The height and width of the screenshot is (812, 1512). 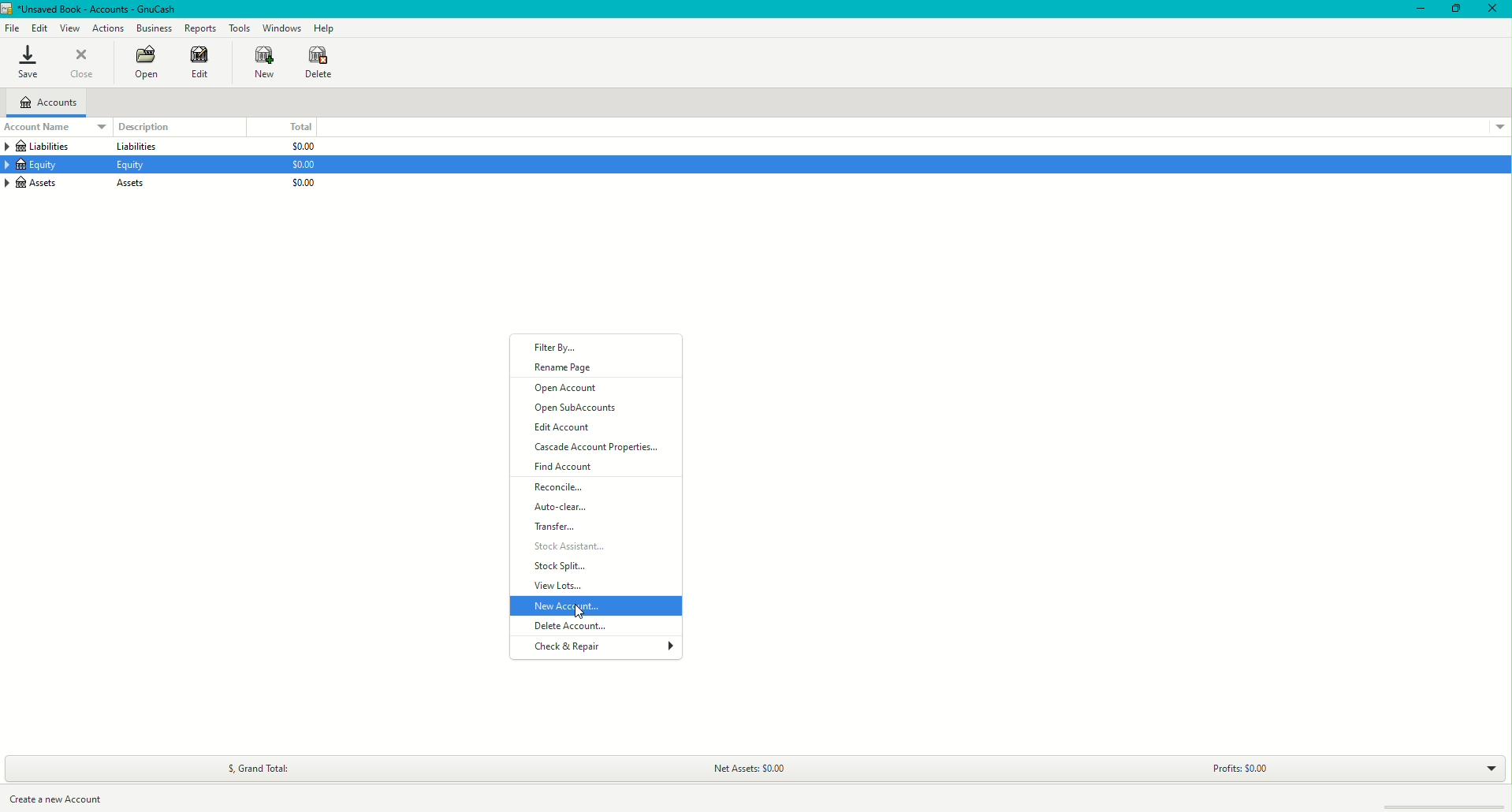 I want to click on Create a new account, so click(x=69, y=799).